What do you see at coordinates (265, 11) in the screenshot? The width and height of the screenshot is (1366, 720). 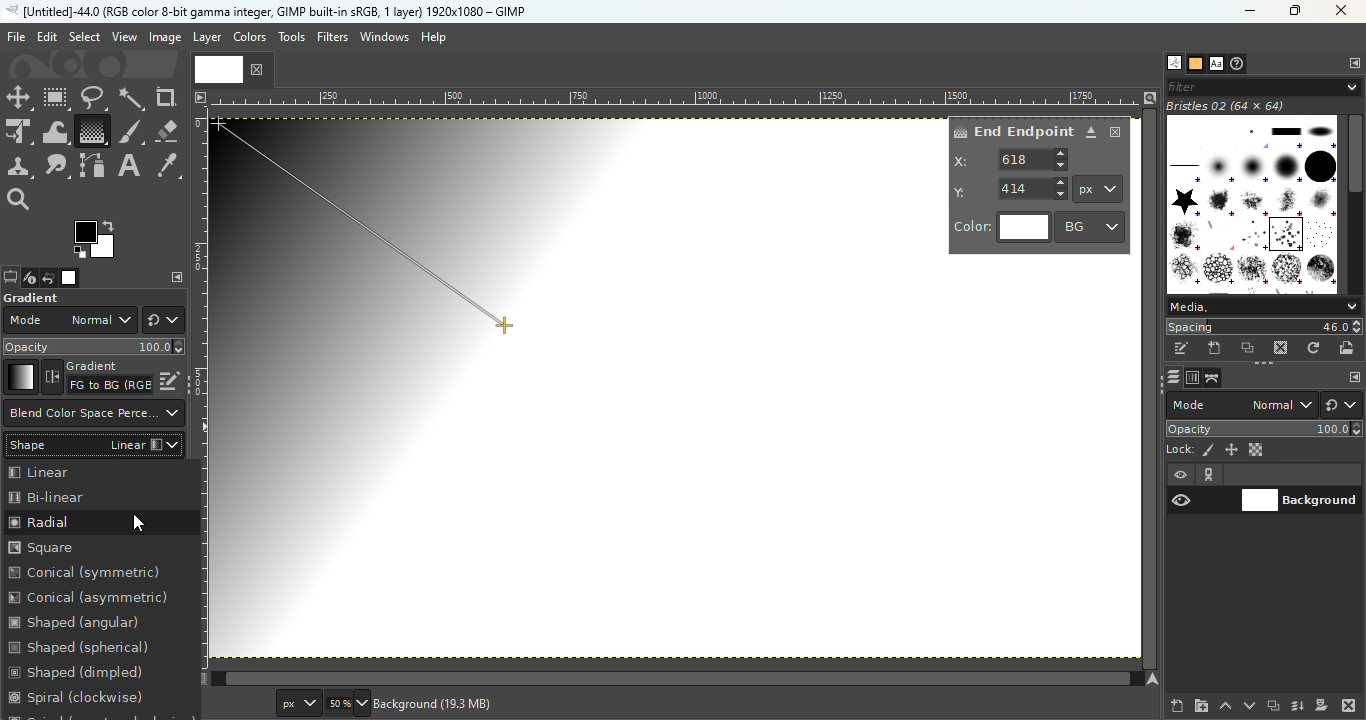 I see `untitled -36.0 (rgb color 8-bit gamma integer , gimp built in stgb, 1 layer) 1174x788 - gimp` at bounding box center [265, 11].